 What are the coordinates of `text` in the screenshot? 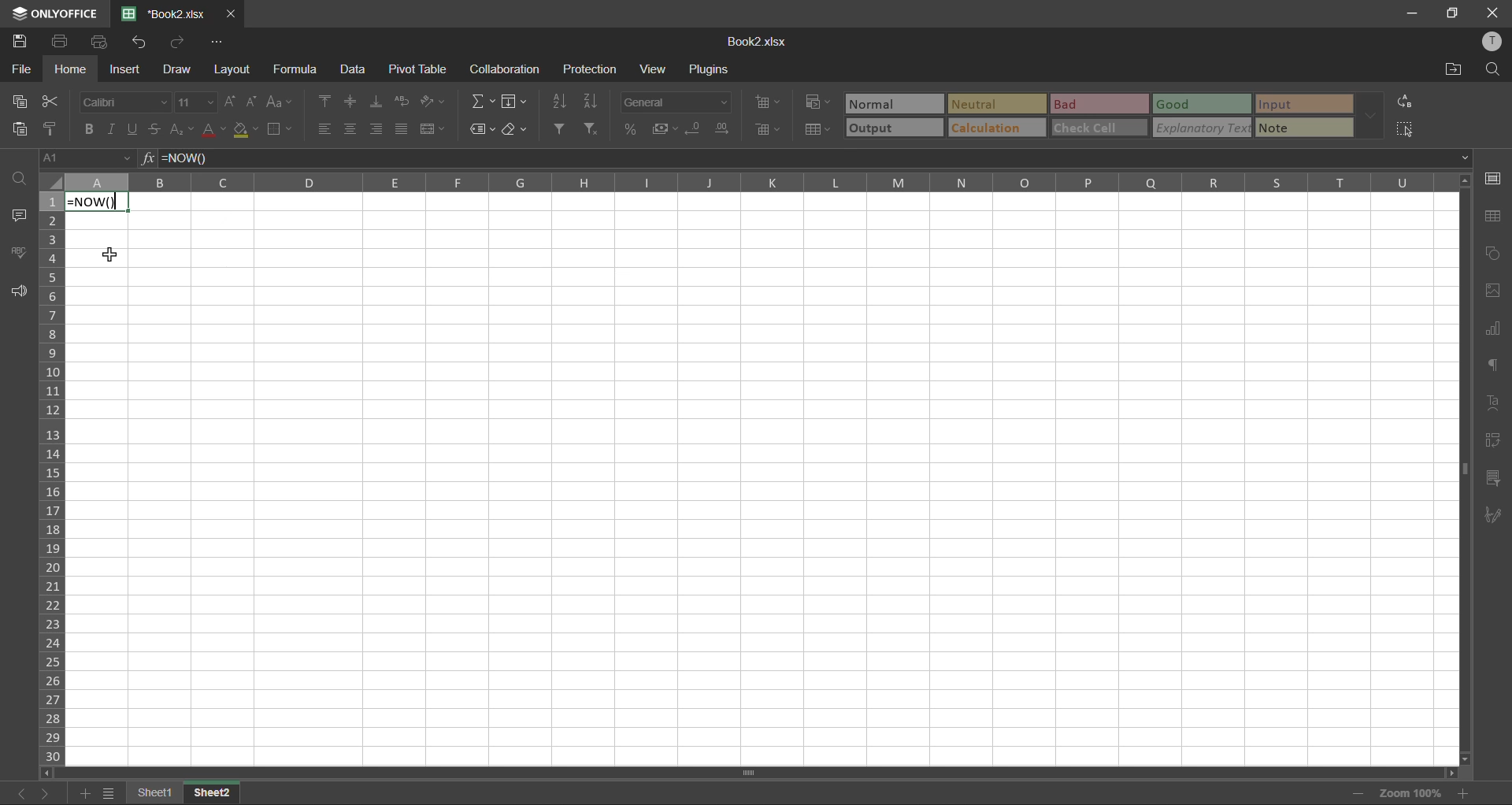 It's located at (1492, 402).